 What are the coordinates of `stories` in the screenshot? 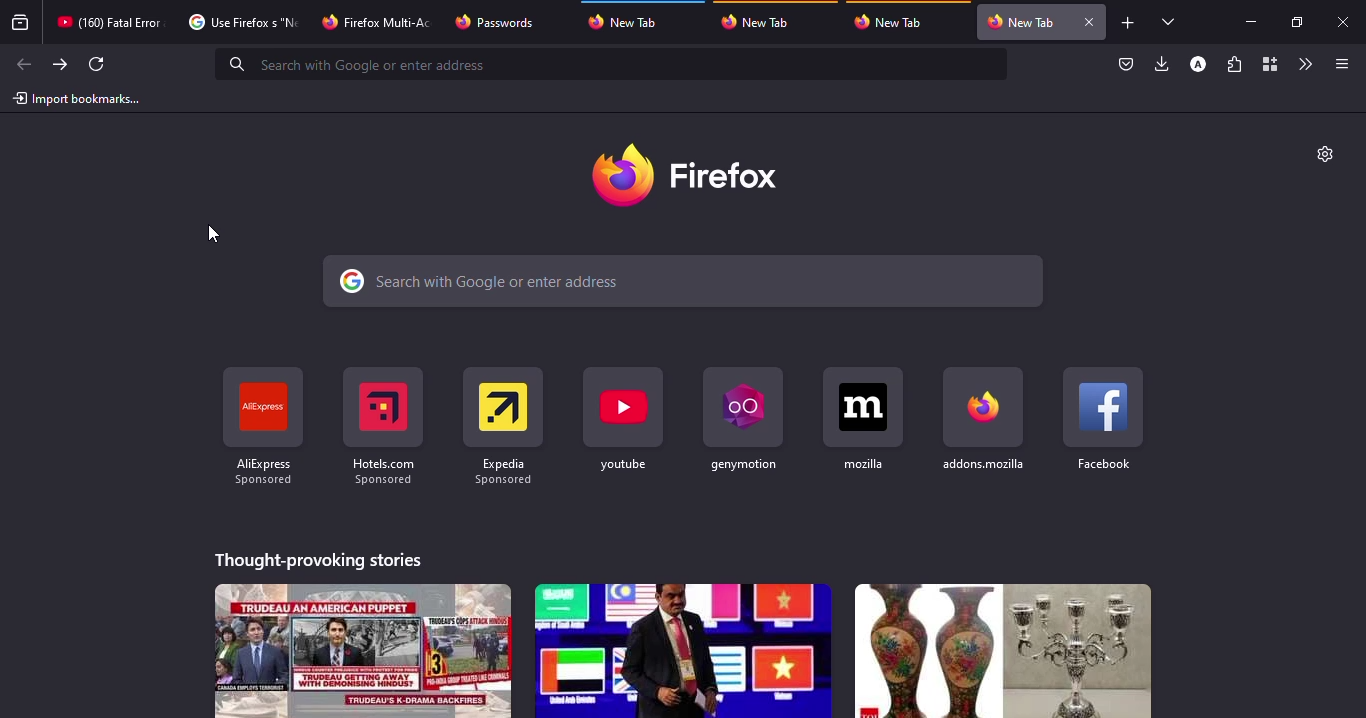 It's located at (683, 651).